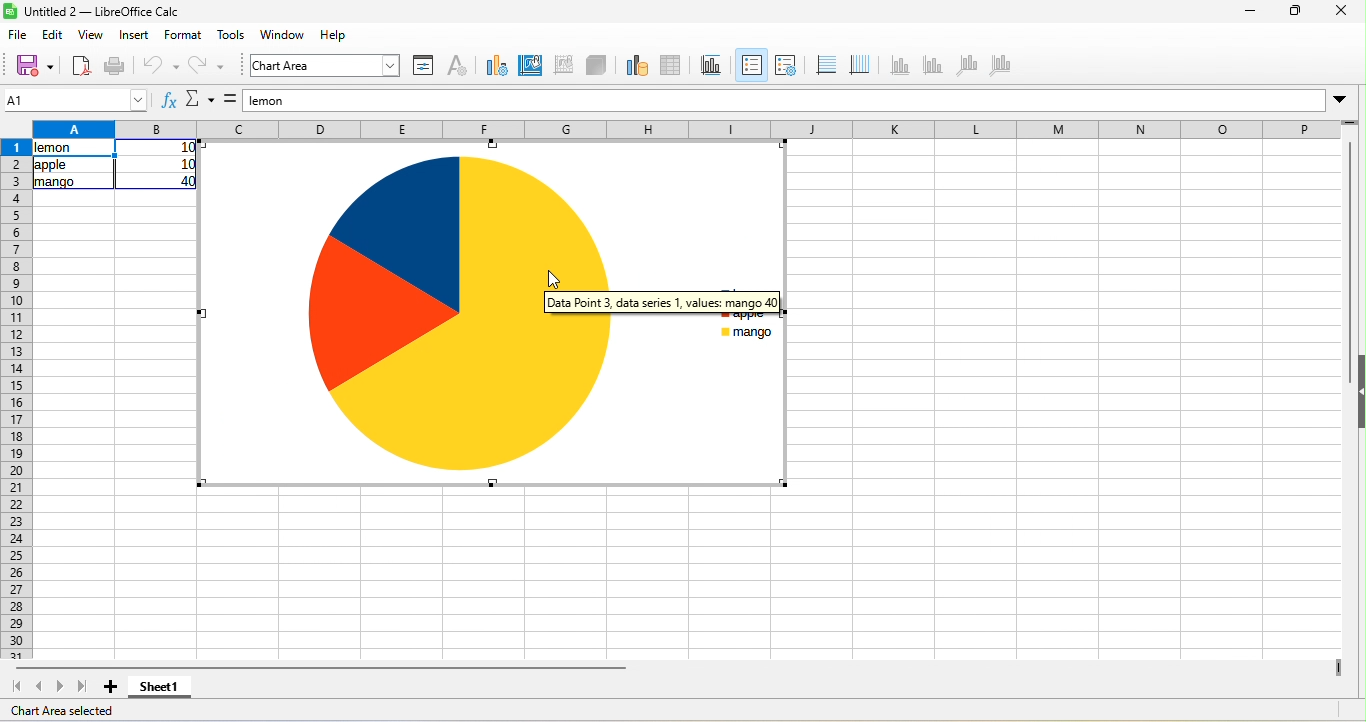 The image size is (1366, 722). Describe the element at coordinates (158, 148) in the screenshot. I see `10` at that location.